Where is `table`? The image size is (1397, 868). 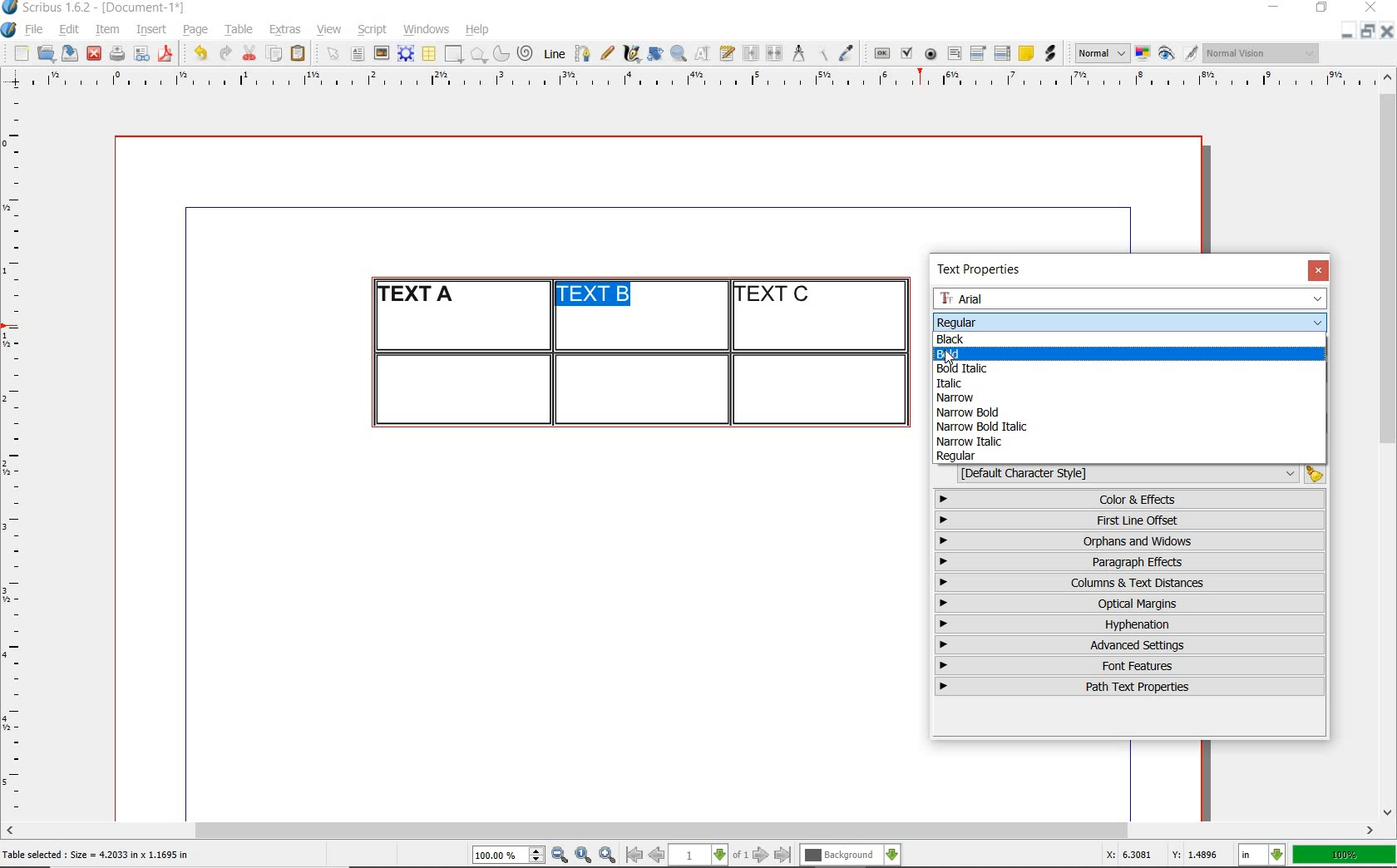 table is located at coordinates (430, 54).